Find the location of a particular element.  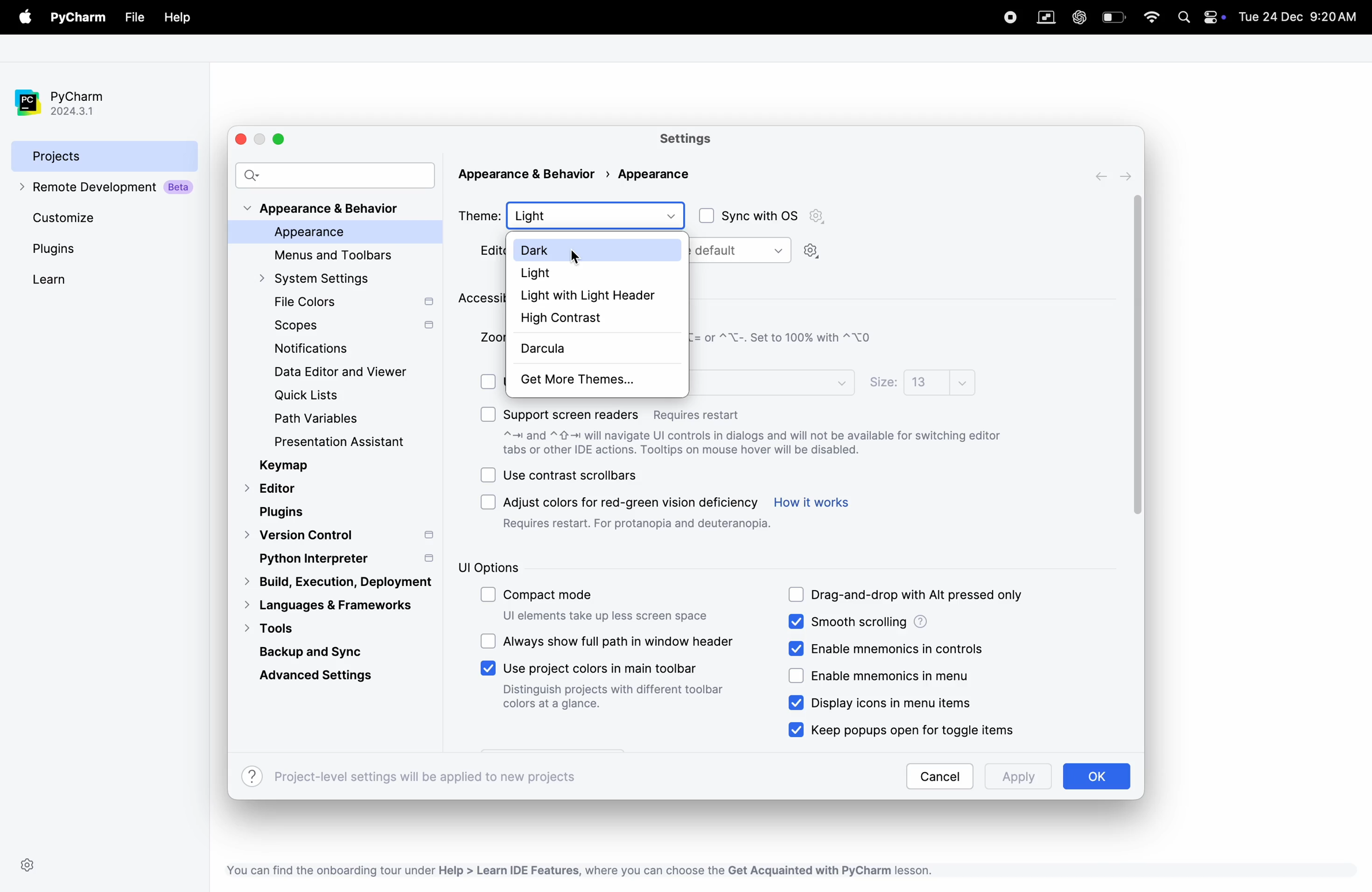

advance settings is located at coordinates (323, 675).